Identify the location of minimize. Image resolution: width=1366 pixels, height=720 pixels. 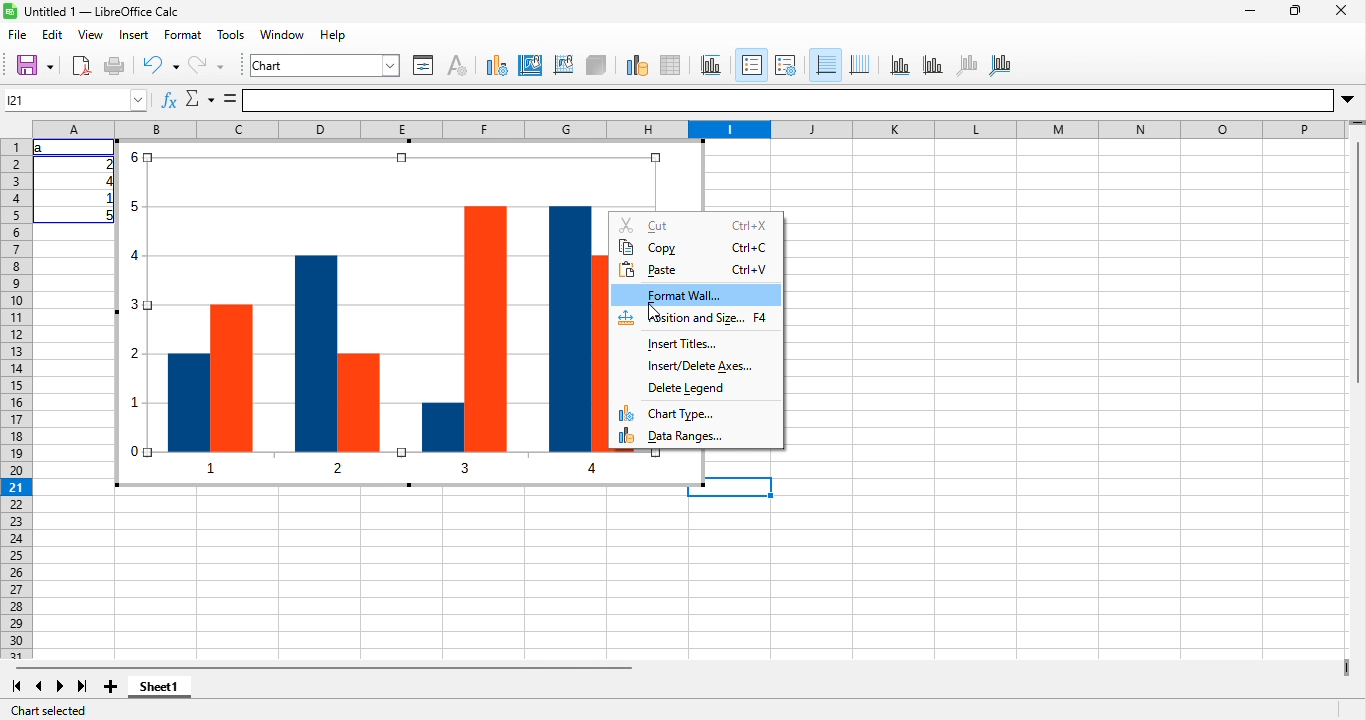
(1250, 11).